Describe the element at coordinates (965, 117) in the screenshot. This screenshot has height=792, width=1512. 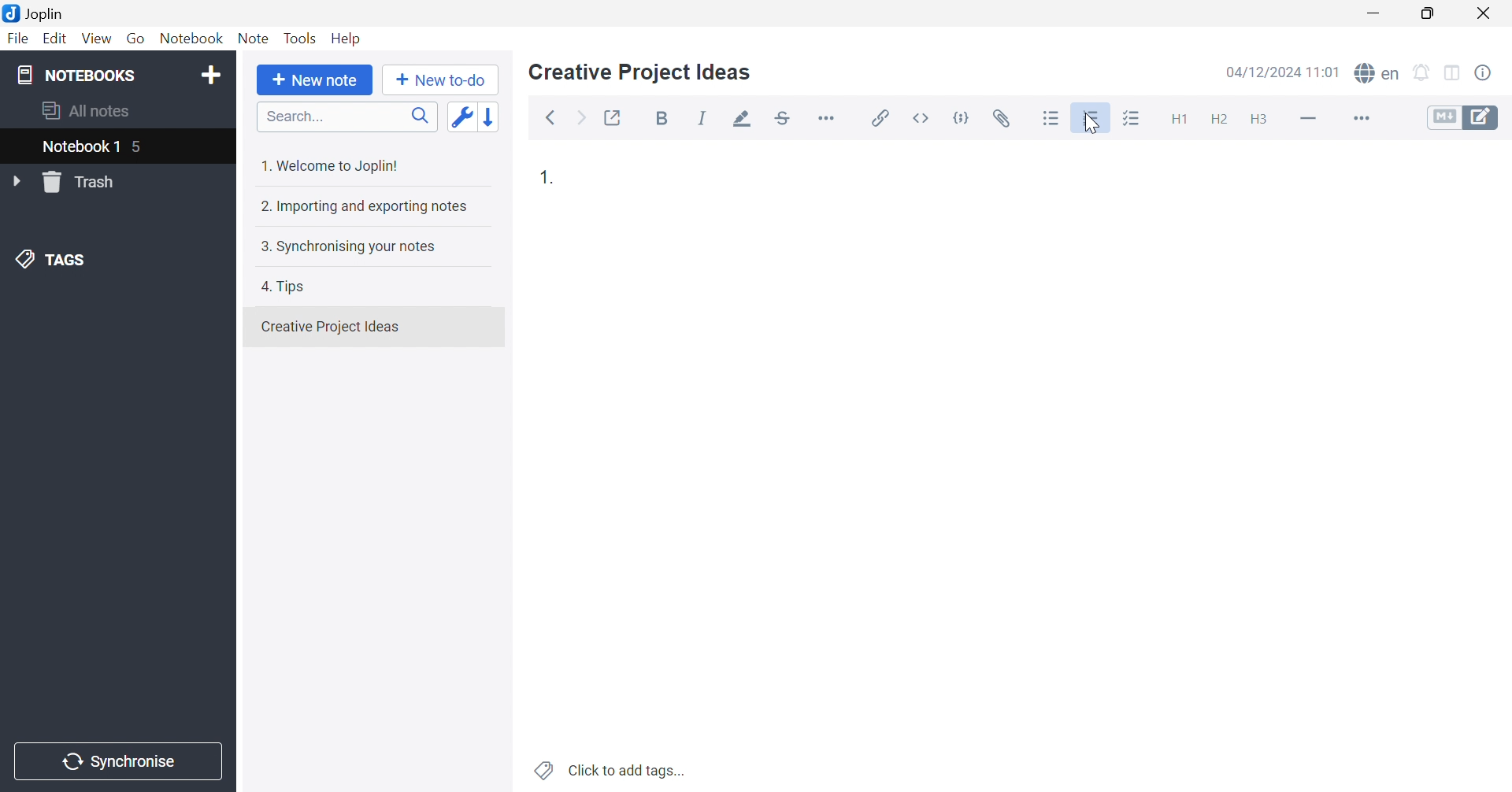
I see `Code` at that location.